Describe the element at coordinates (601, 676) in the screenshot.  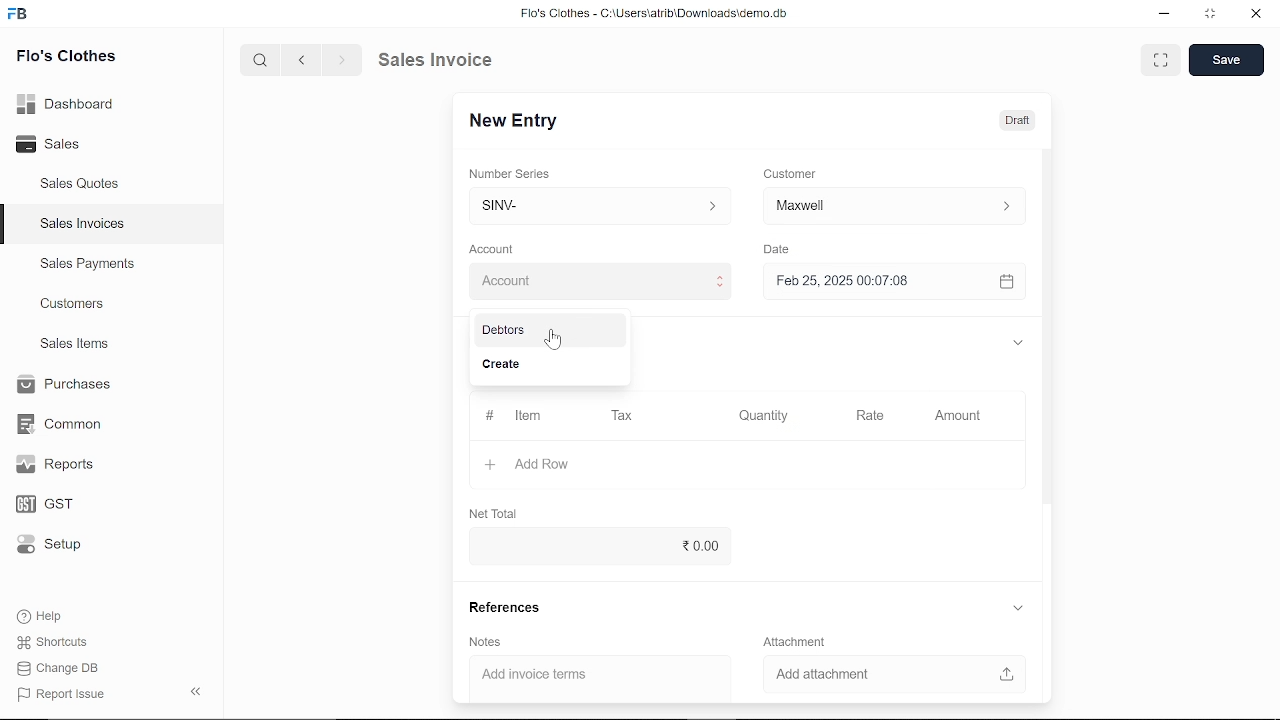
I see `Add invoice terms` at that location.